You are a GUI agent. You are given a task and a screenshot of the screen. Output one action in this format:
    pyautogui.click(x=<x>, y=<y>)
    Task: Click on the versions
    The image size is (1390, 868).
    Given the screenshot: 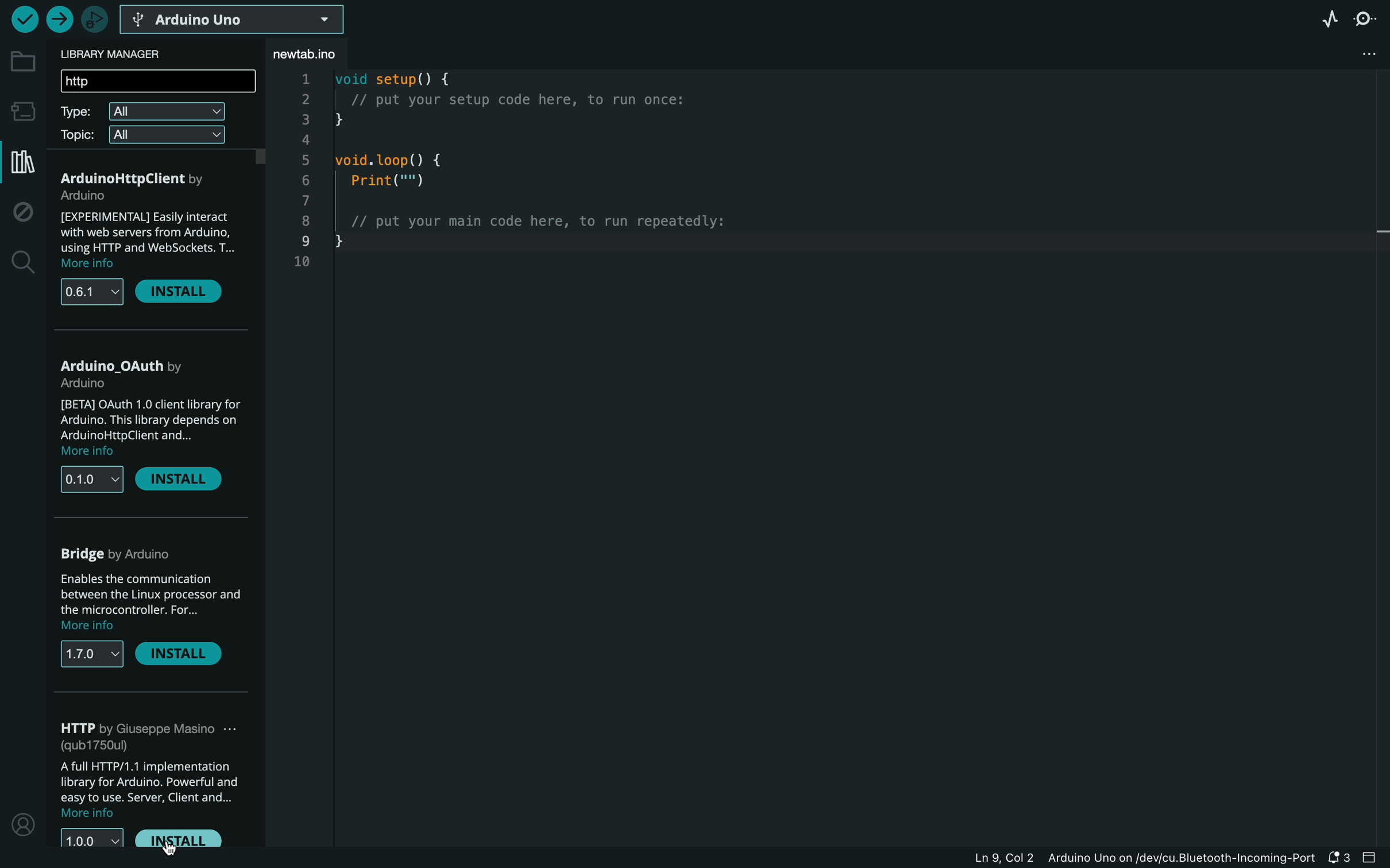 What is the action you would take?
    pyautogui.click(x=89, y=476)
    